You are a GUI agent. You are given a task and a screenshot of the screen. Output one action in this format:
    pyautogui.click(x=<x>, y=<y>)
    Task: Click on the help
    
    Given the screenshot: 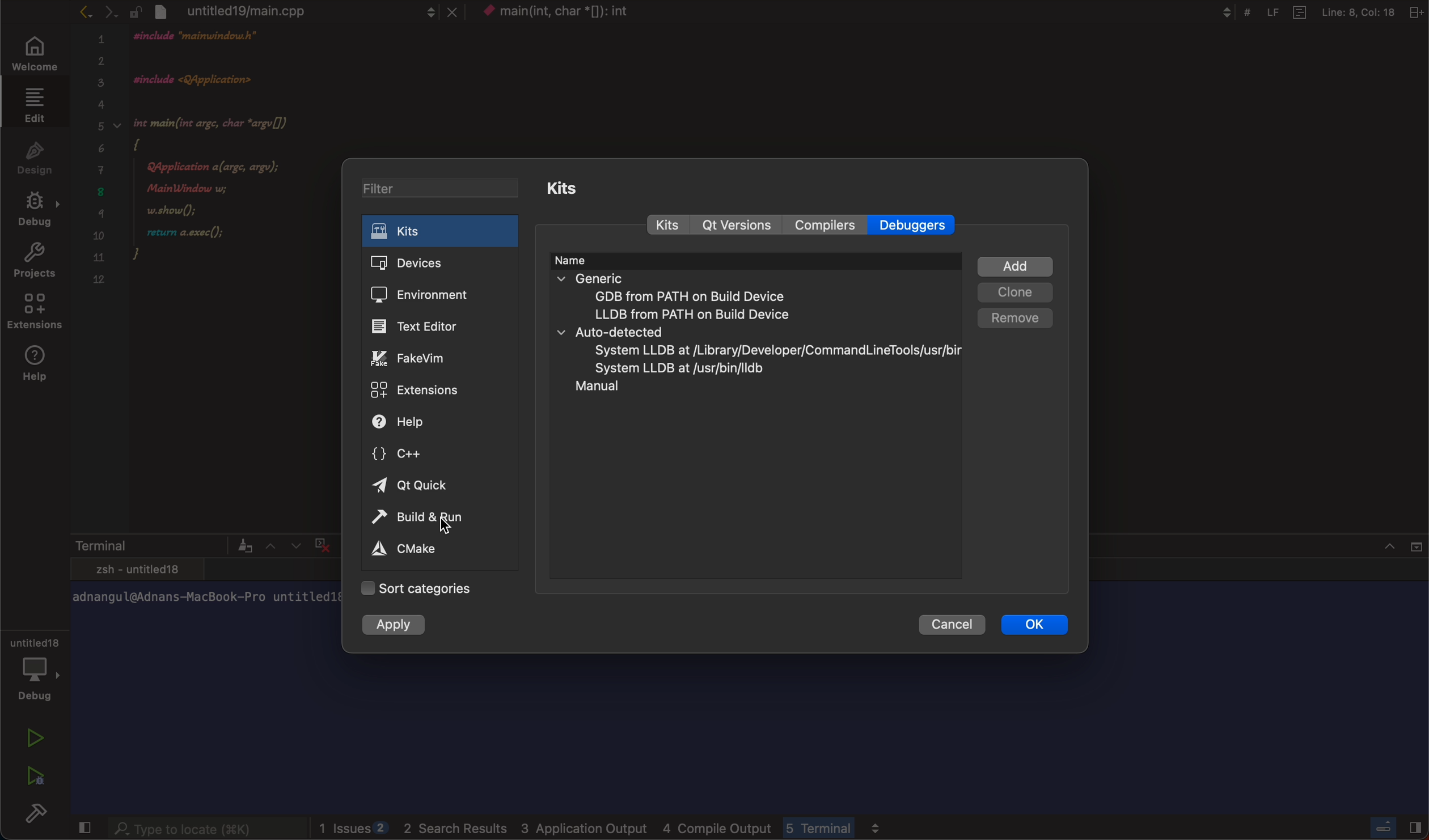 What is the action you would take?
    pyautogui.click(x=409, y=422)
    